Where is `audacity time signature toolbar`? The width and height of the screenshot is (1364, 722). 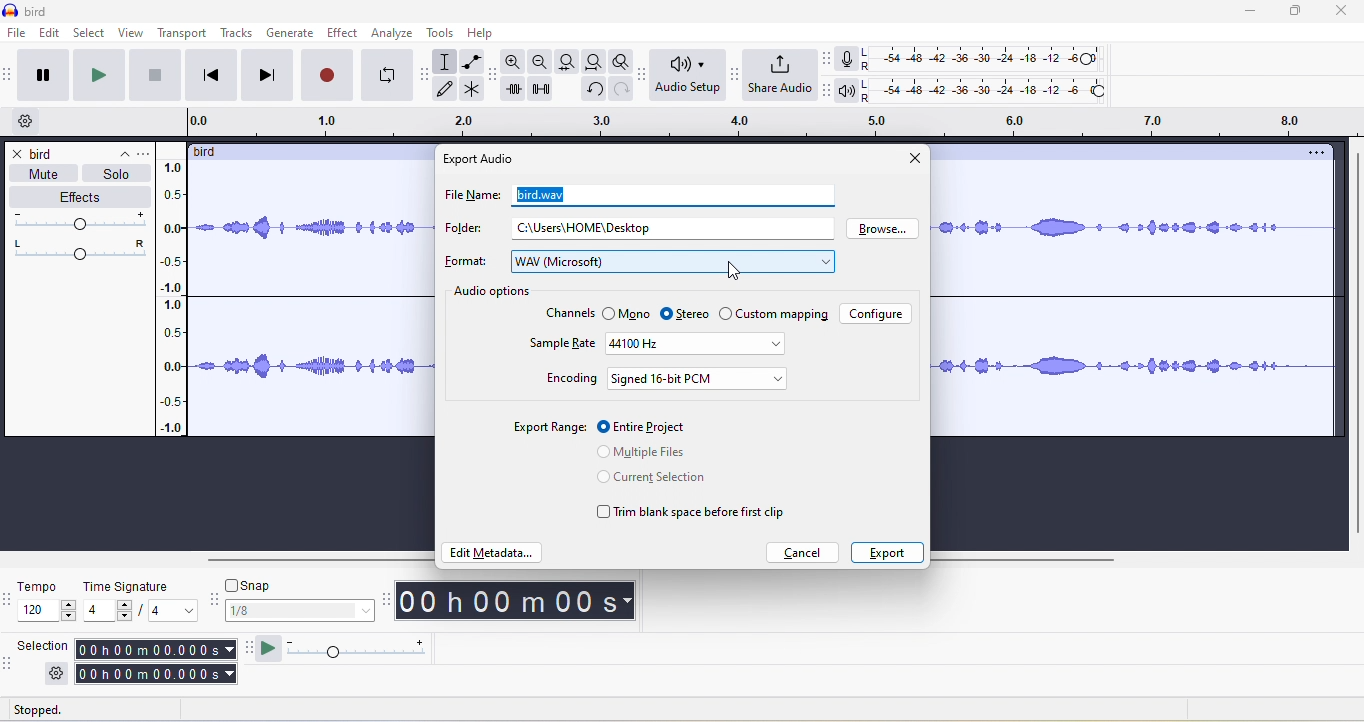 audacity time signature toolbar is located at coordinates (9, 600).